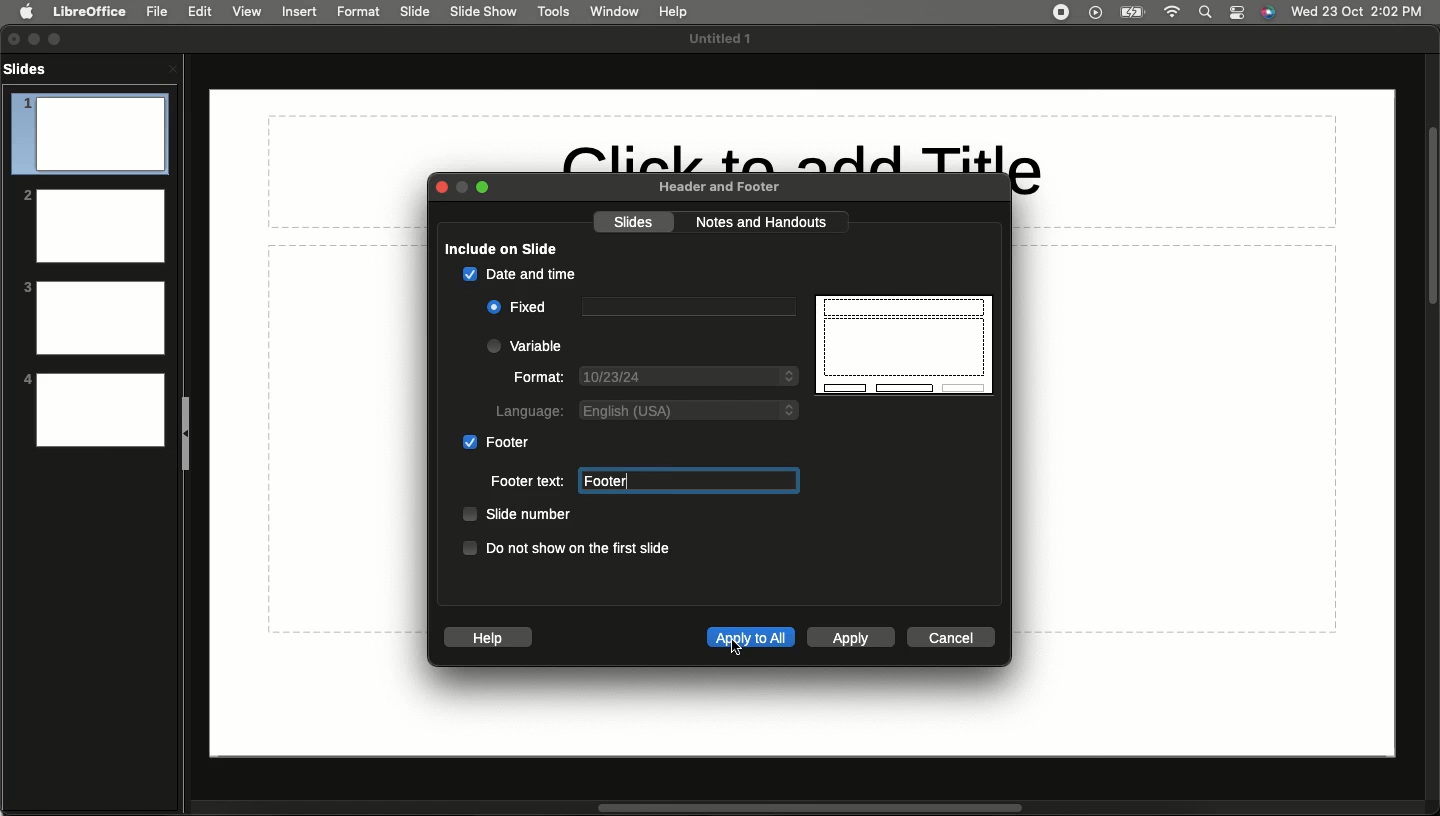 The height and width of the screenshot is (816, 1440). I want to click on Variable, so click(528, 345).